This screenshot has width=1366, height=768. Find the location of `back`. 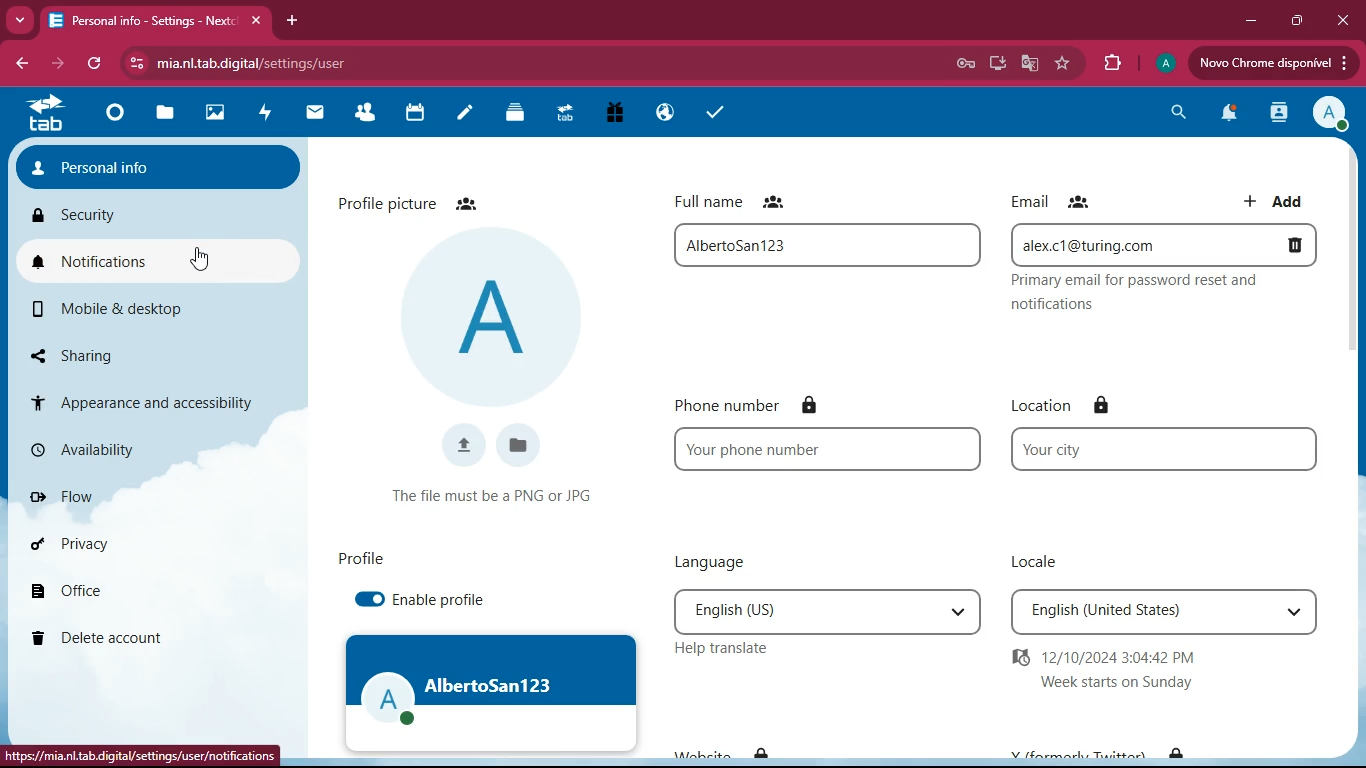

back is located at coordinates (20, 61).